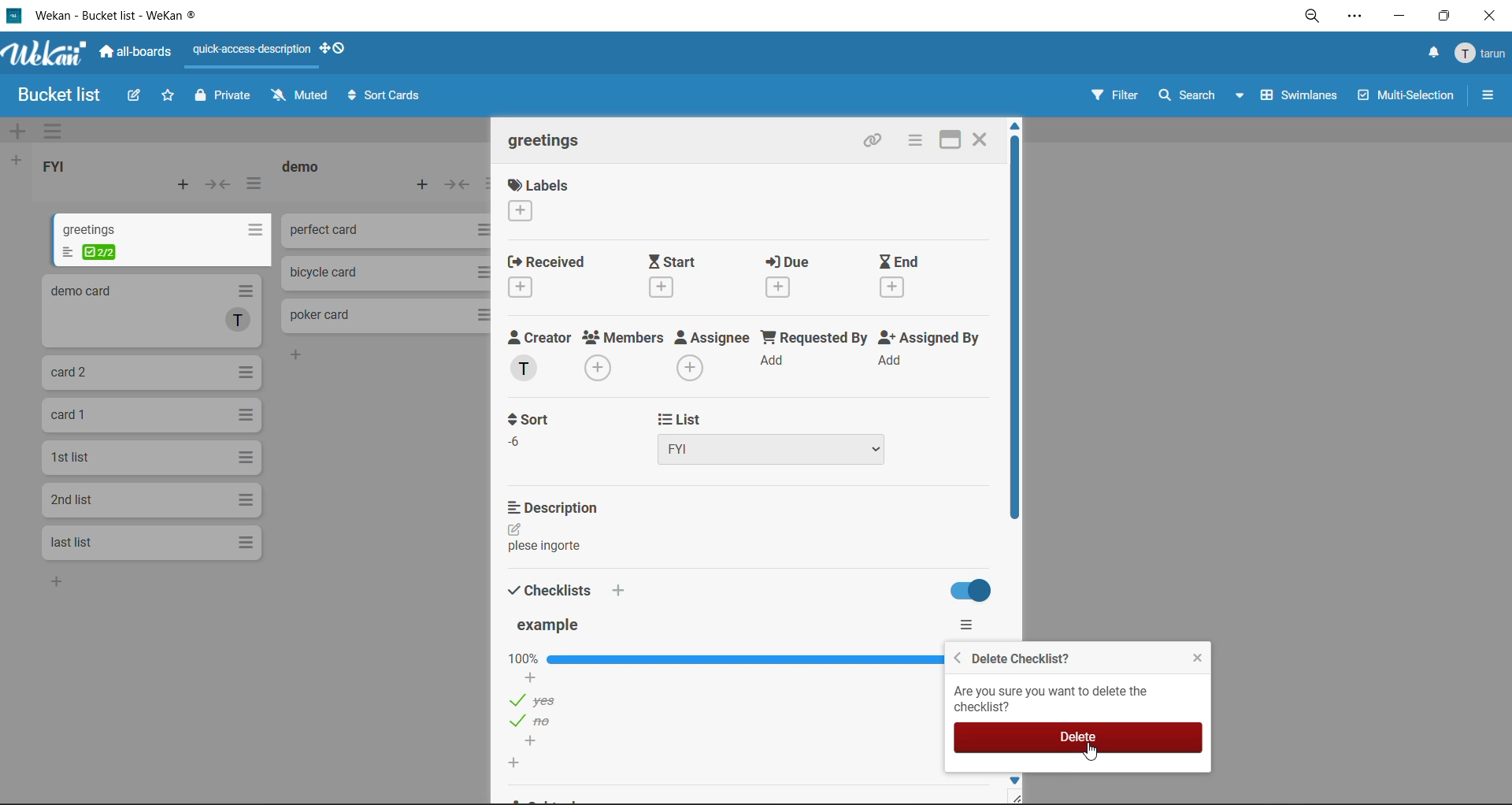  What do you see at coordinates (534, 743) in the screenshot?
I see `add checklist options` at bounding box center [534, 743].